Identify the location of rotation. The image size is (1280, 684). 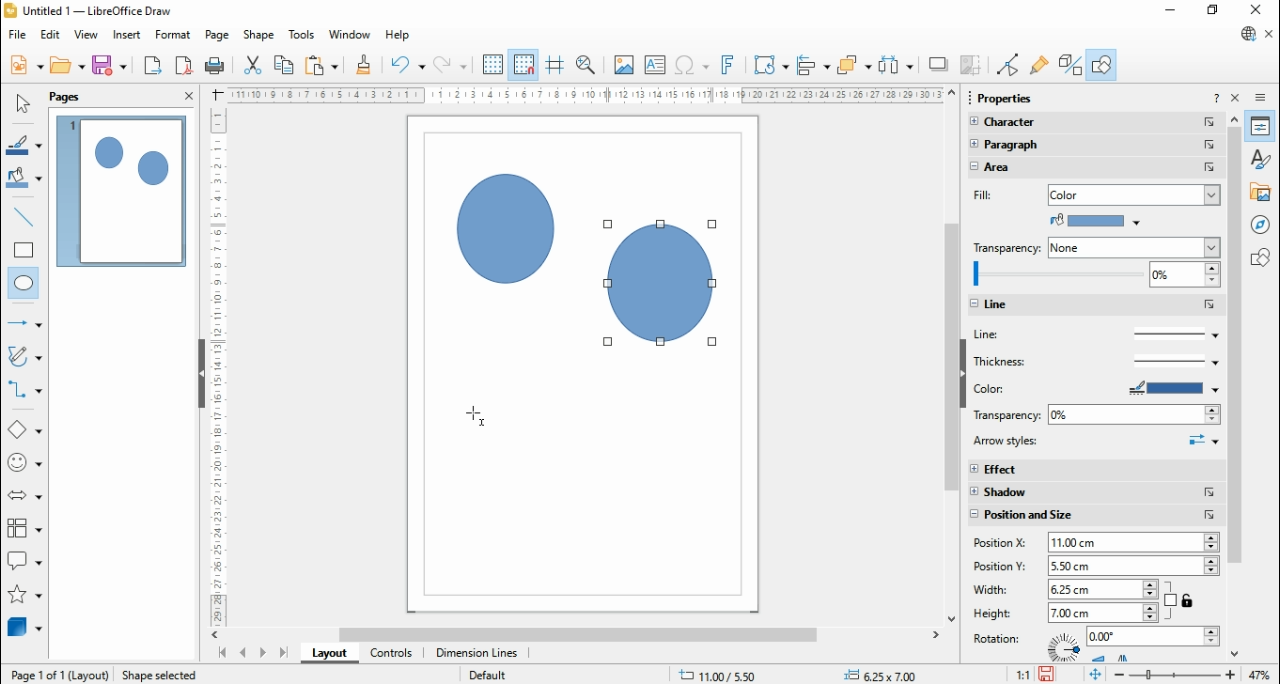
(996, 637).